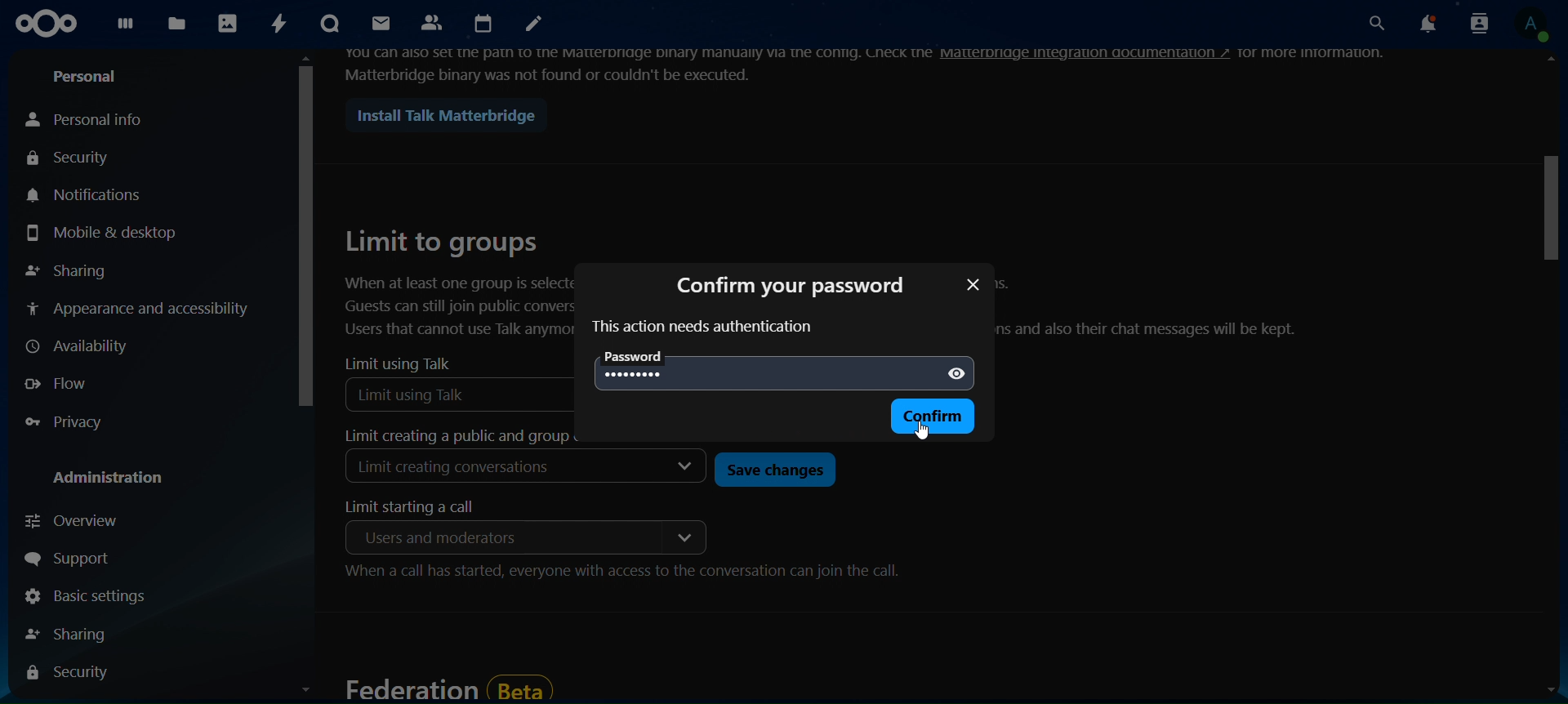 This screenshot has height=704, width=1568. I want to click on cursor, so click(925, 432).